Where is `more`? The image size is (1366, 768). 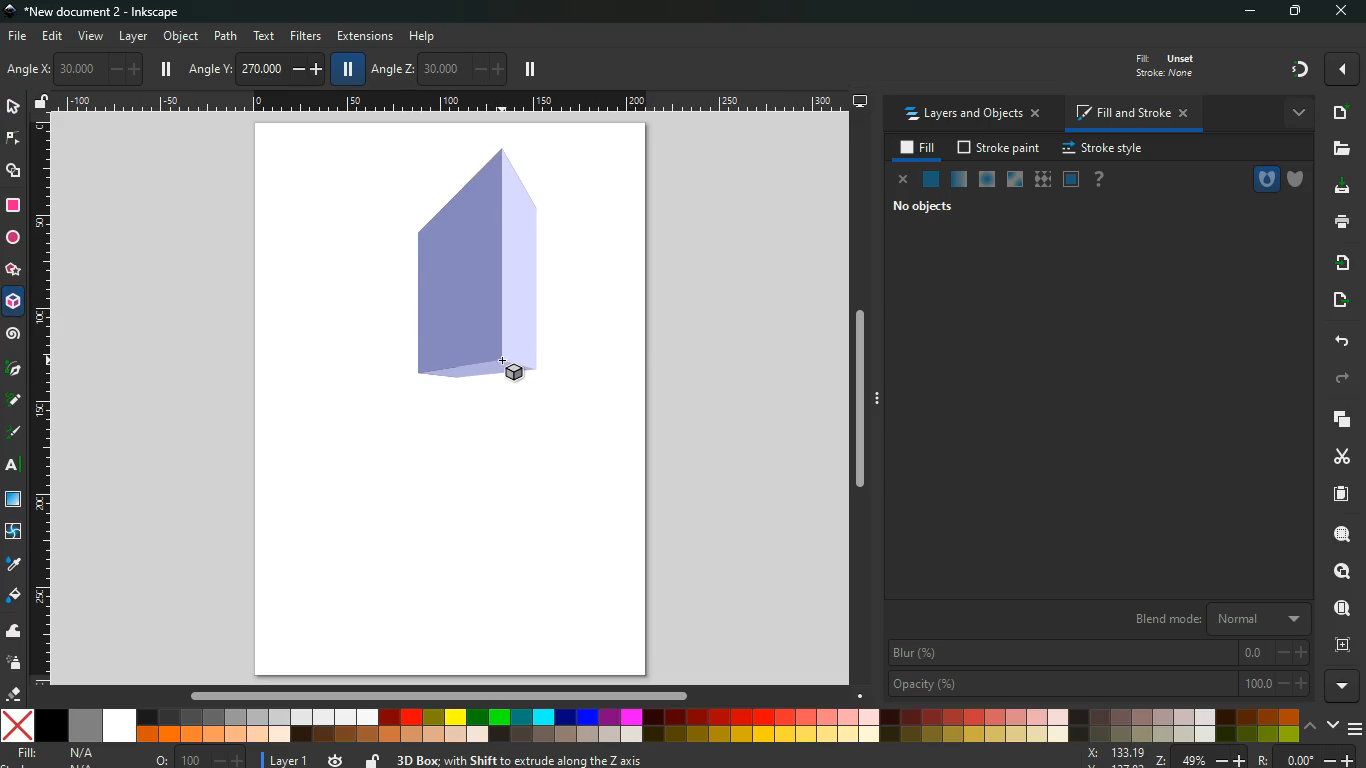 more is located at coordinates (1296, 112).